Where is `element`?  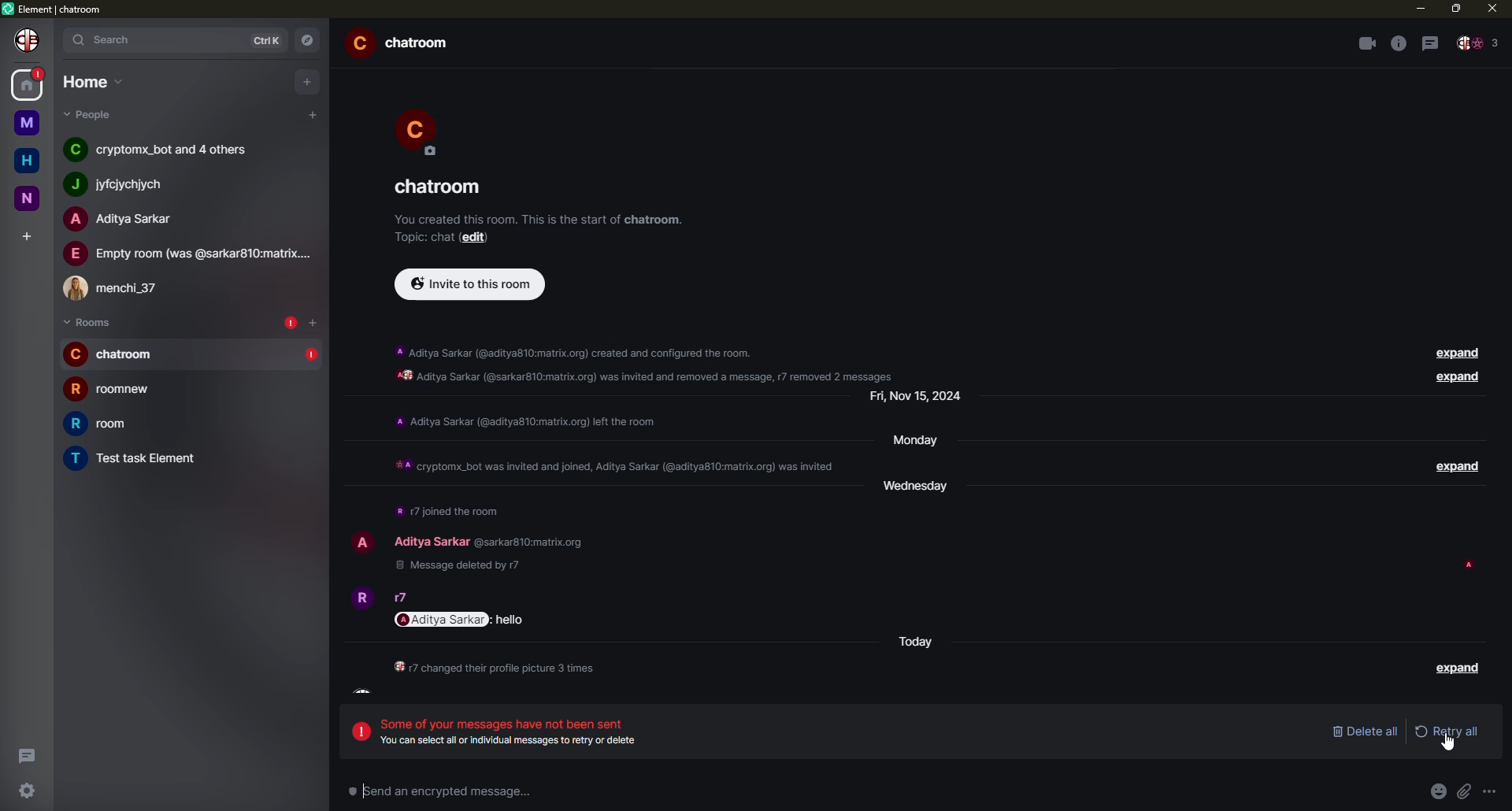
element is located at coordinates (55, 8).